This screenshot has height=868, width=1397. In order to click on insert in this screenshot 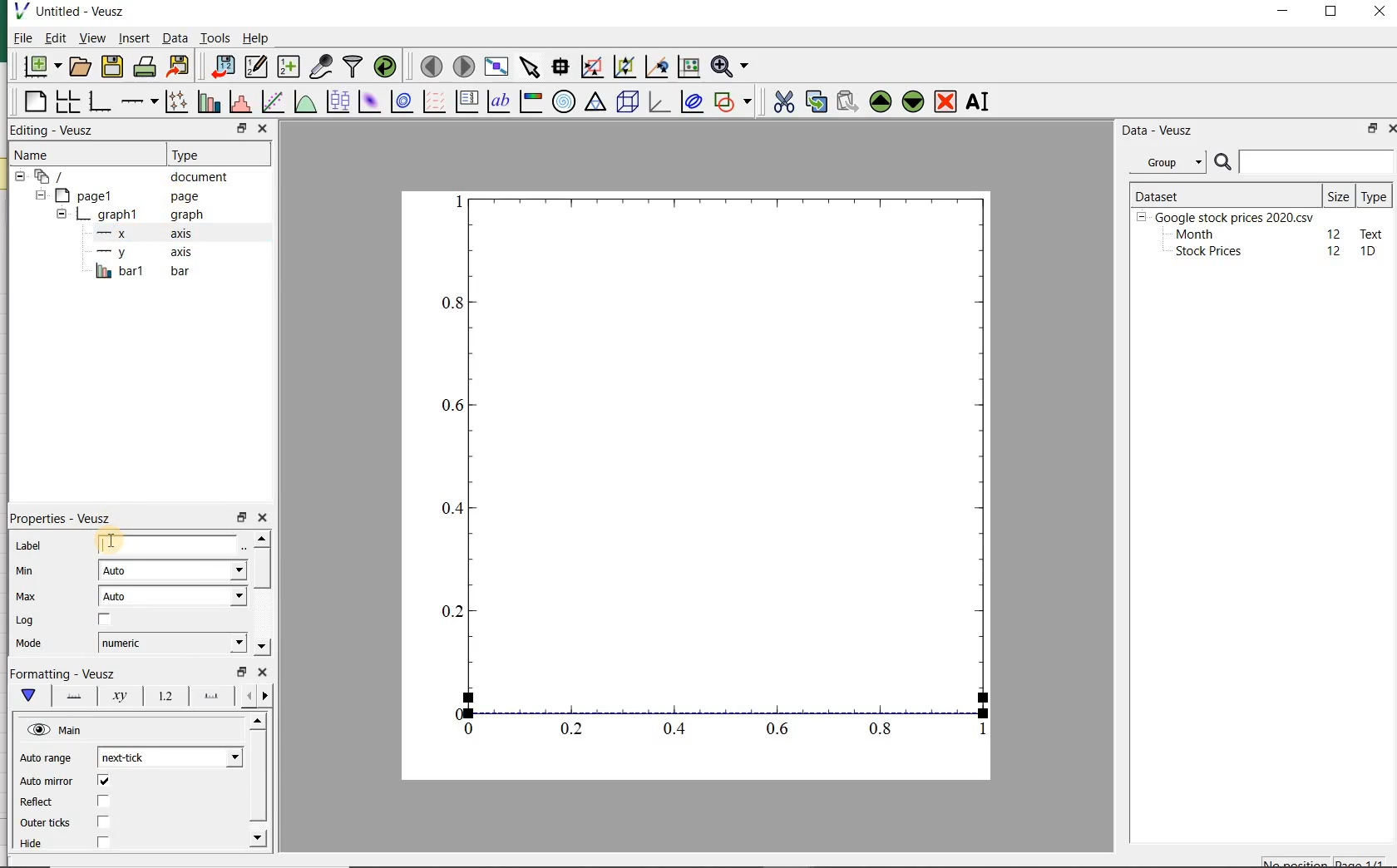, I will do `click(134, 39)`.